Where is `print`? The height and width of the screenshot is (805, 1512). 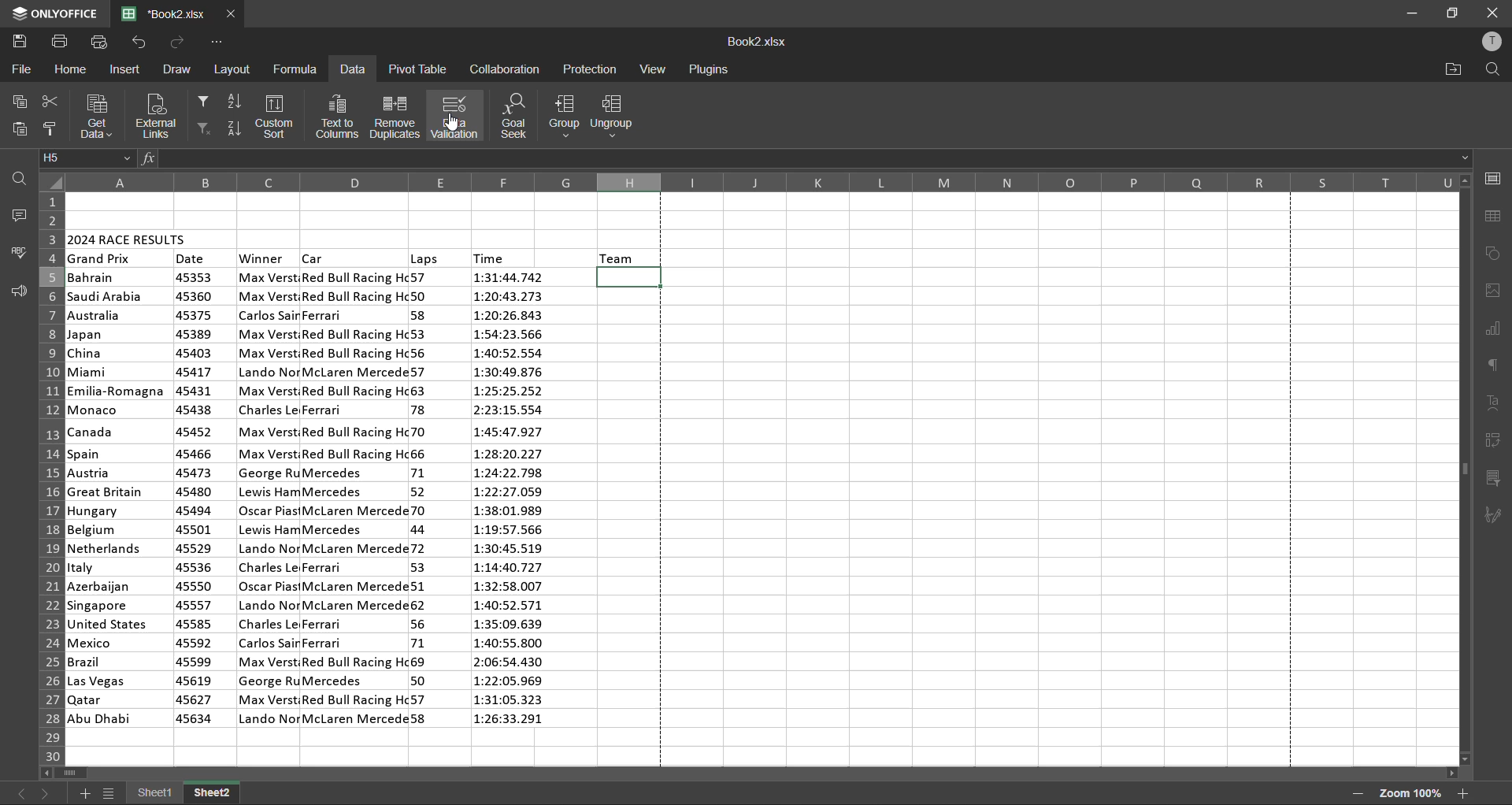
print is located at coordinates (61, 42).